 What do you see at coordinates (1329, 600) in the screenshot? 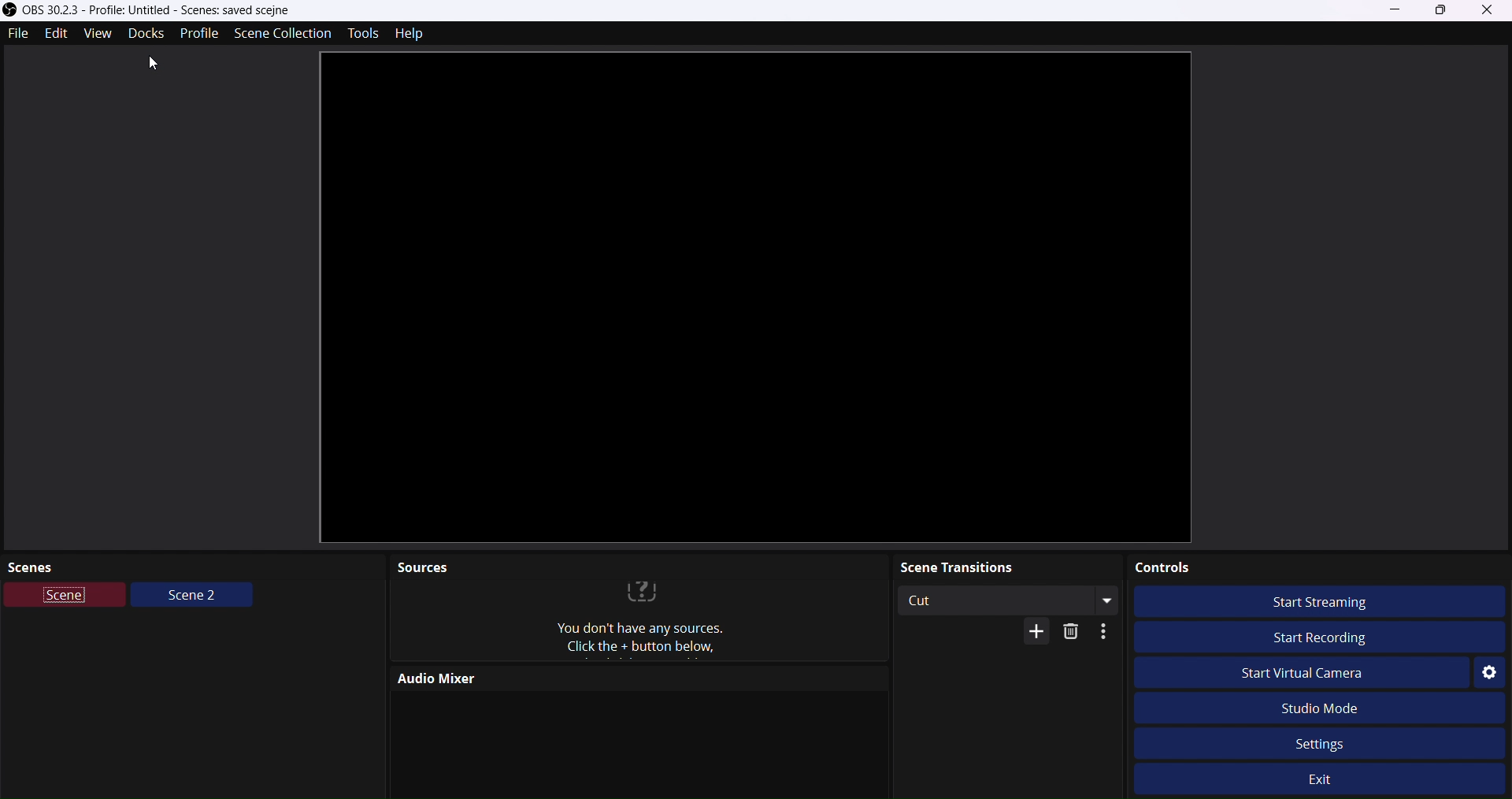
I see `Start Streaming` at bounding box center [1329, 600].